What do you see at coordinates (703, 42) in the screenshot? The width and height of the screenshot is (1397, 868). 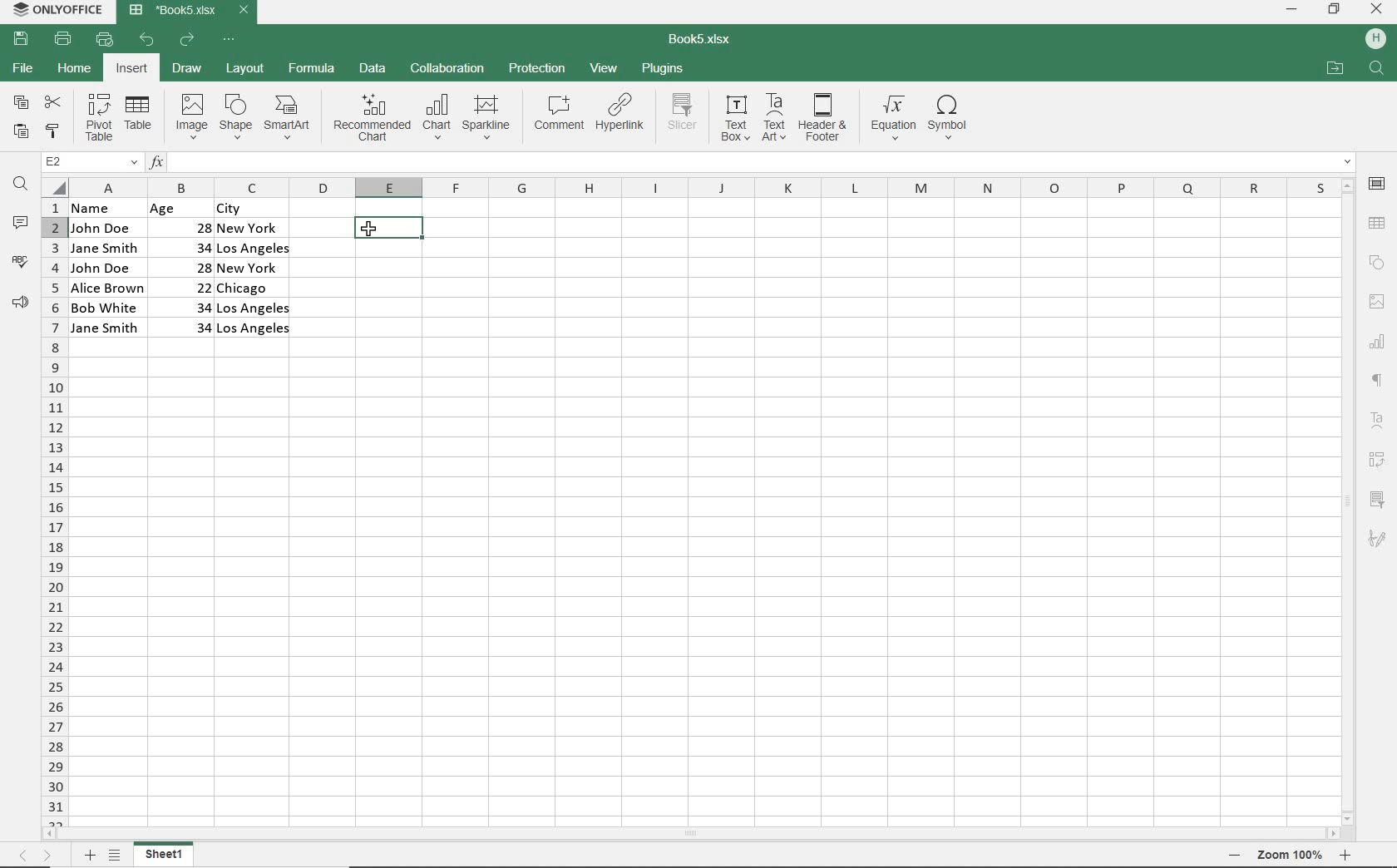 I see `DOCUMENT NAME` at bounding box center [703, 42].